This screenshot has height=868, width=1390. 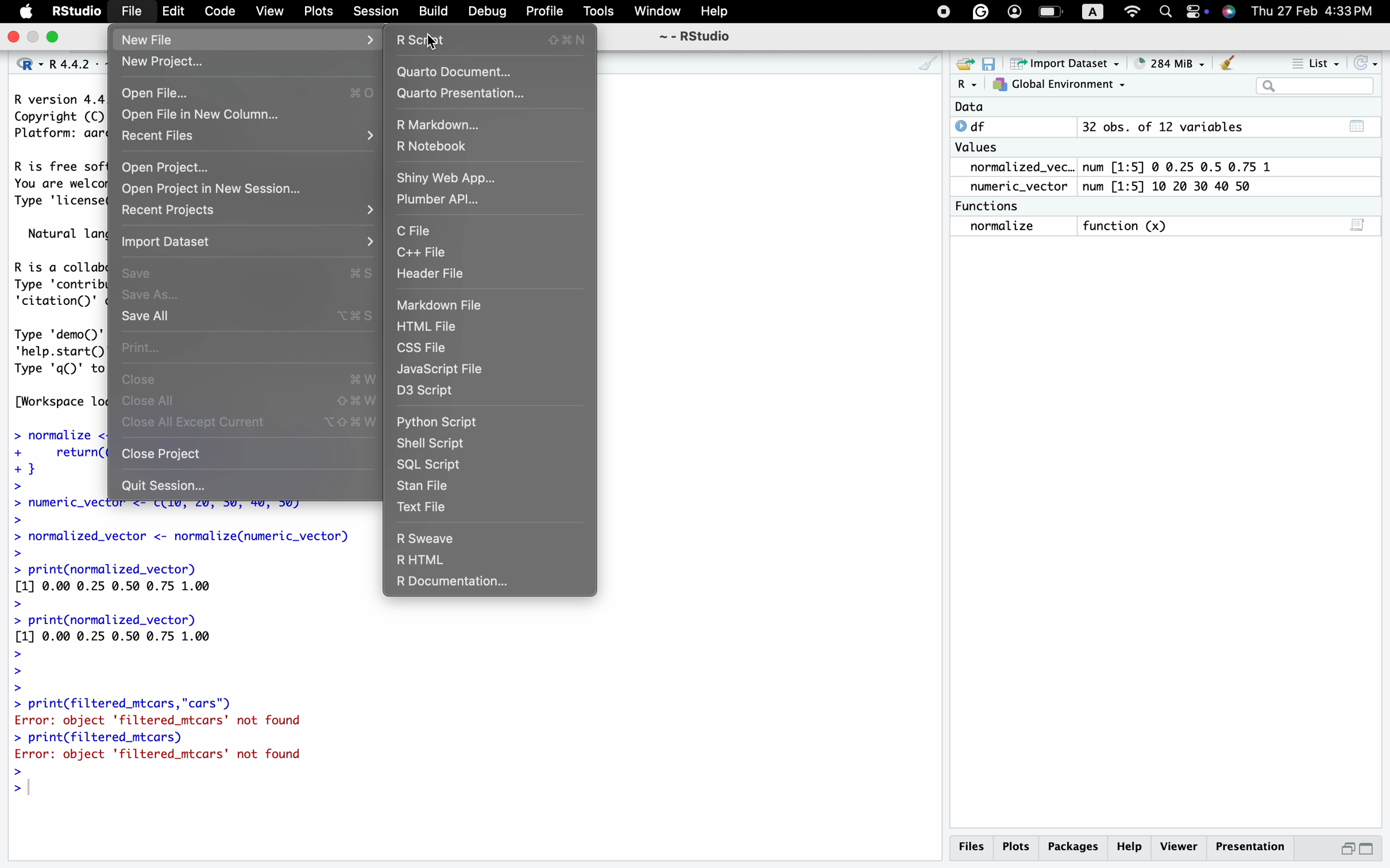 What do you see at coordinates (433, 274) in the screenshot?
I see `Header File` at bounding box center [433, 274].